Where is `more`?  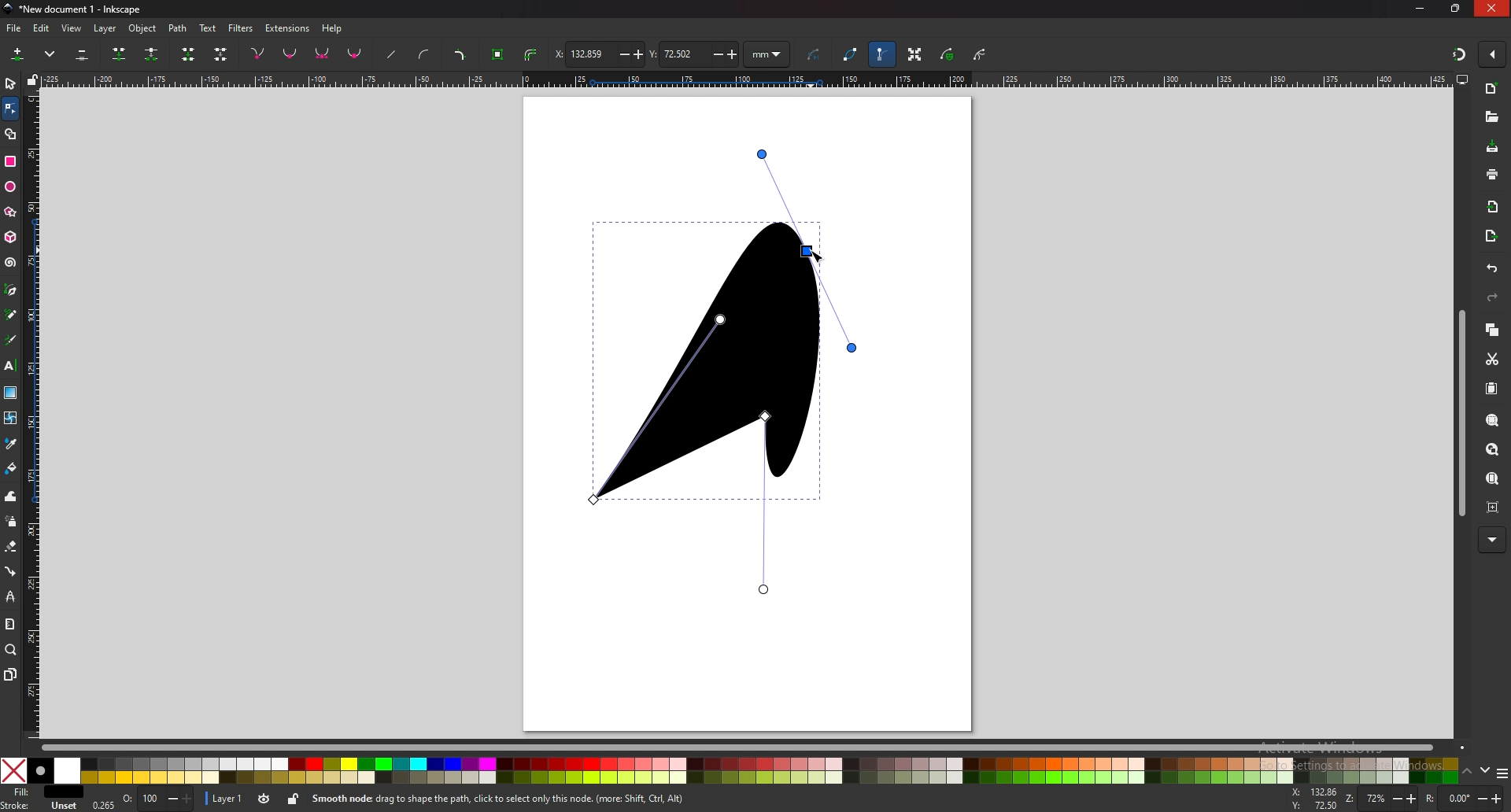
more is located at coordinates (50, 54).